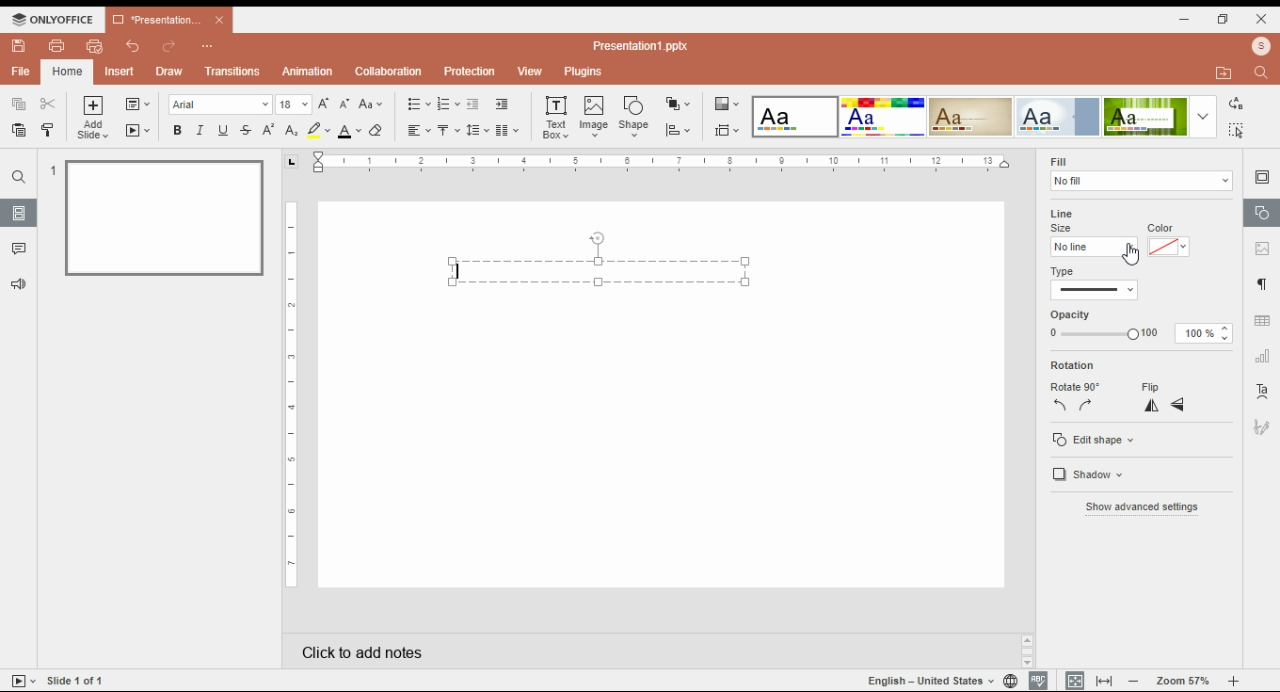  Describe the element at coordinates (1092, 438) in the screenshot. I see `edit shape` at that location.